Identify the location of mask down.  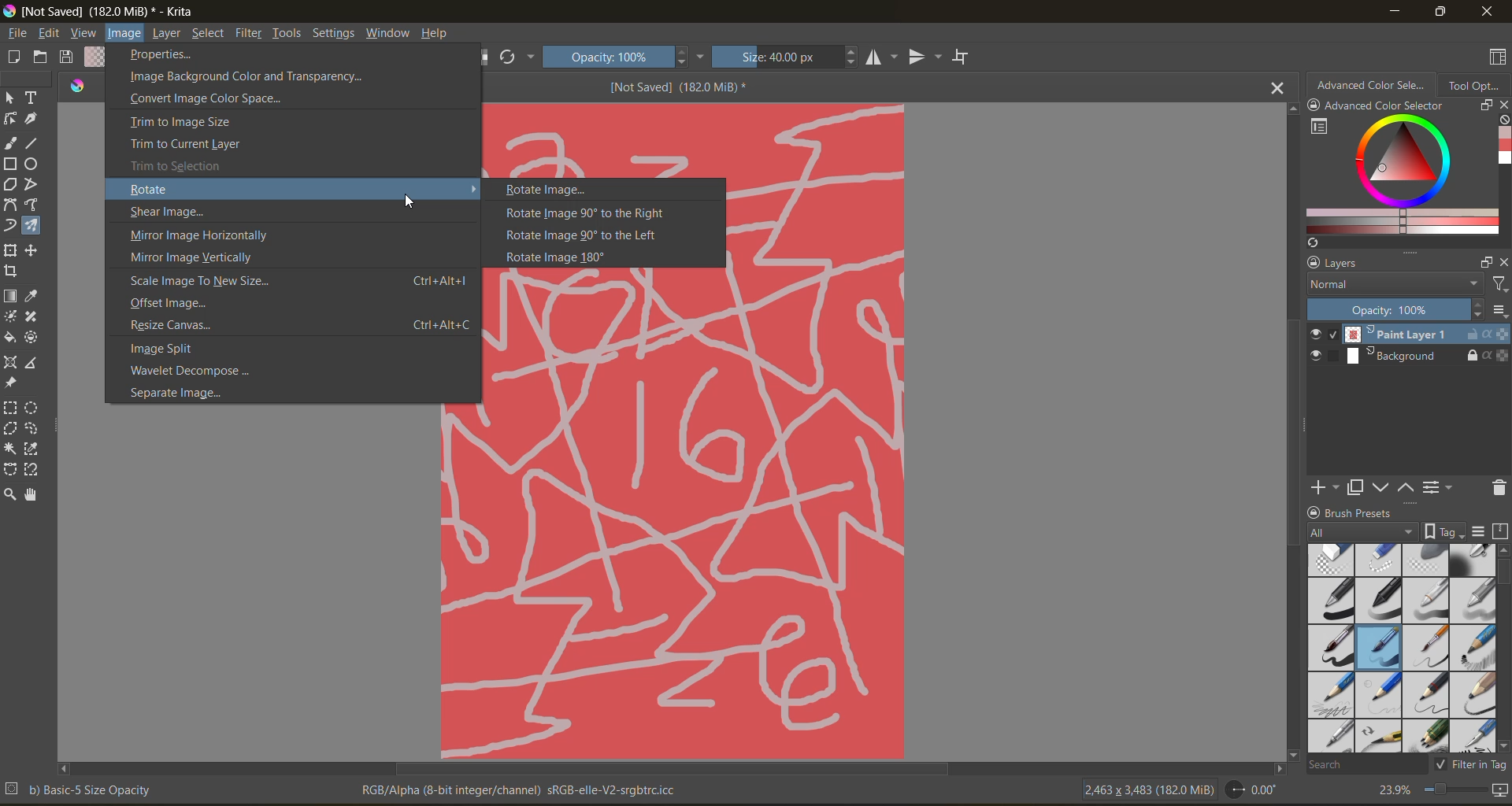
(1380, 488).